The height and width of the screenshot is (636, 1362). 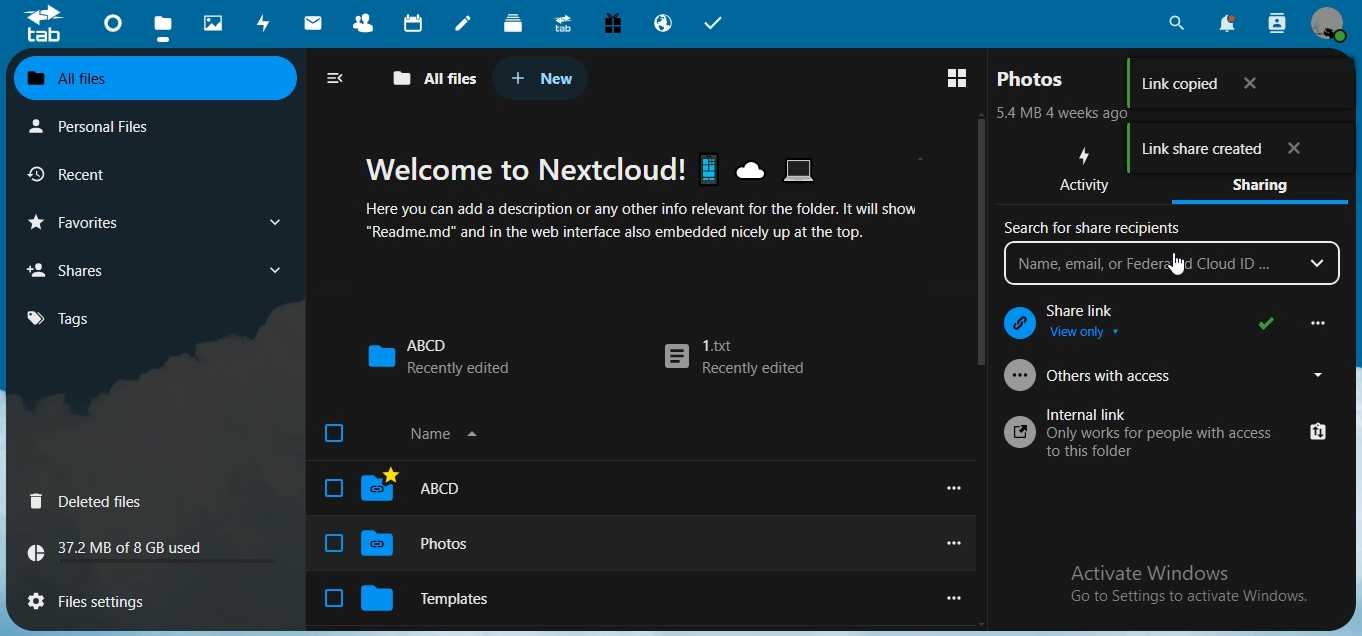 What do you see at coordinates (99, 598) in the screenshot?
I see `files` at bounding box center [99, 598].